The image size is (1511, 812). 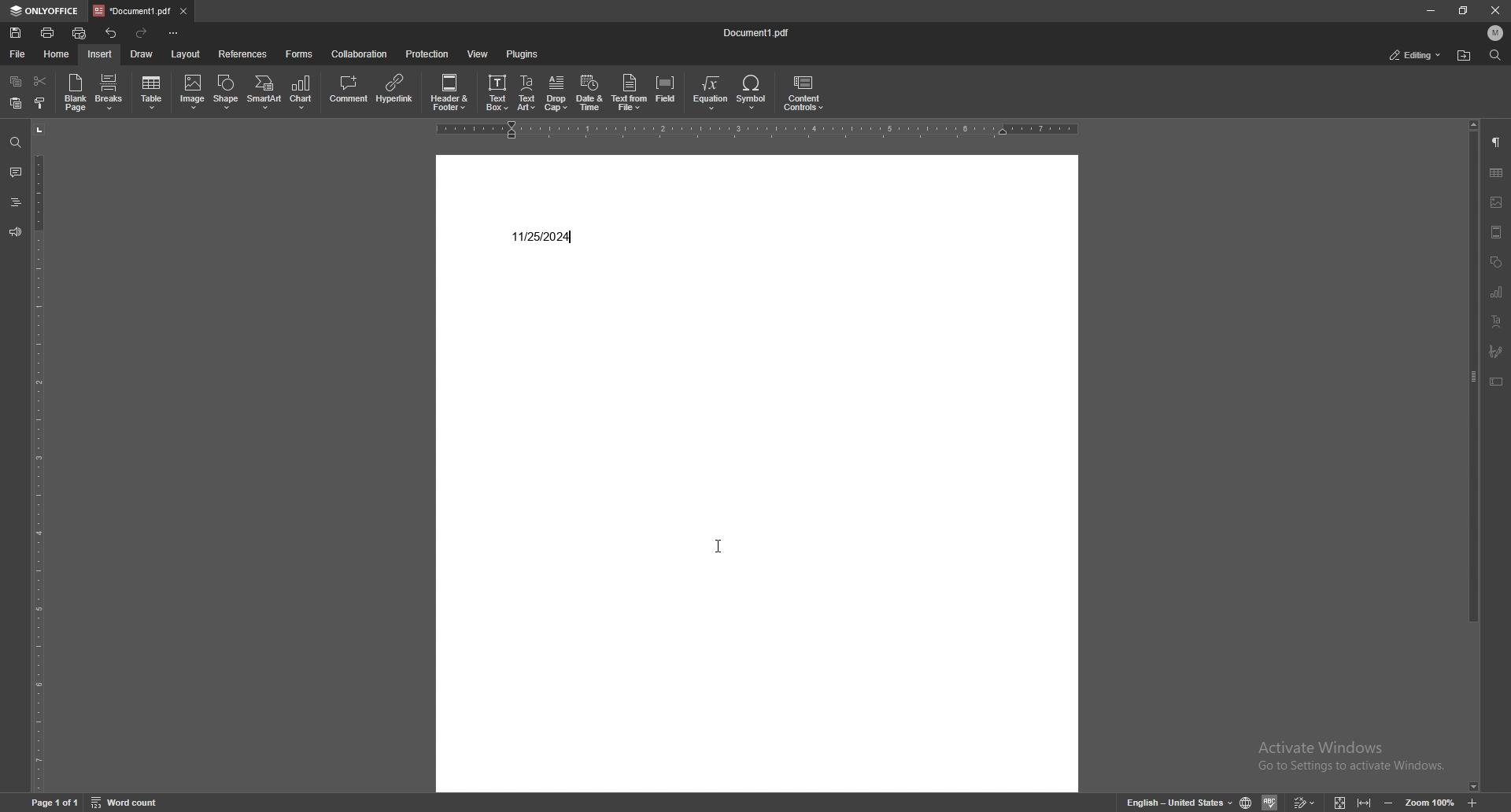 I want to click on text align, so click(x=1498, y=321).